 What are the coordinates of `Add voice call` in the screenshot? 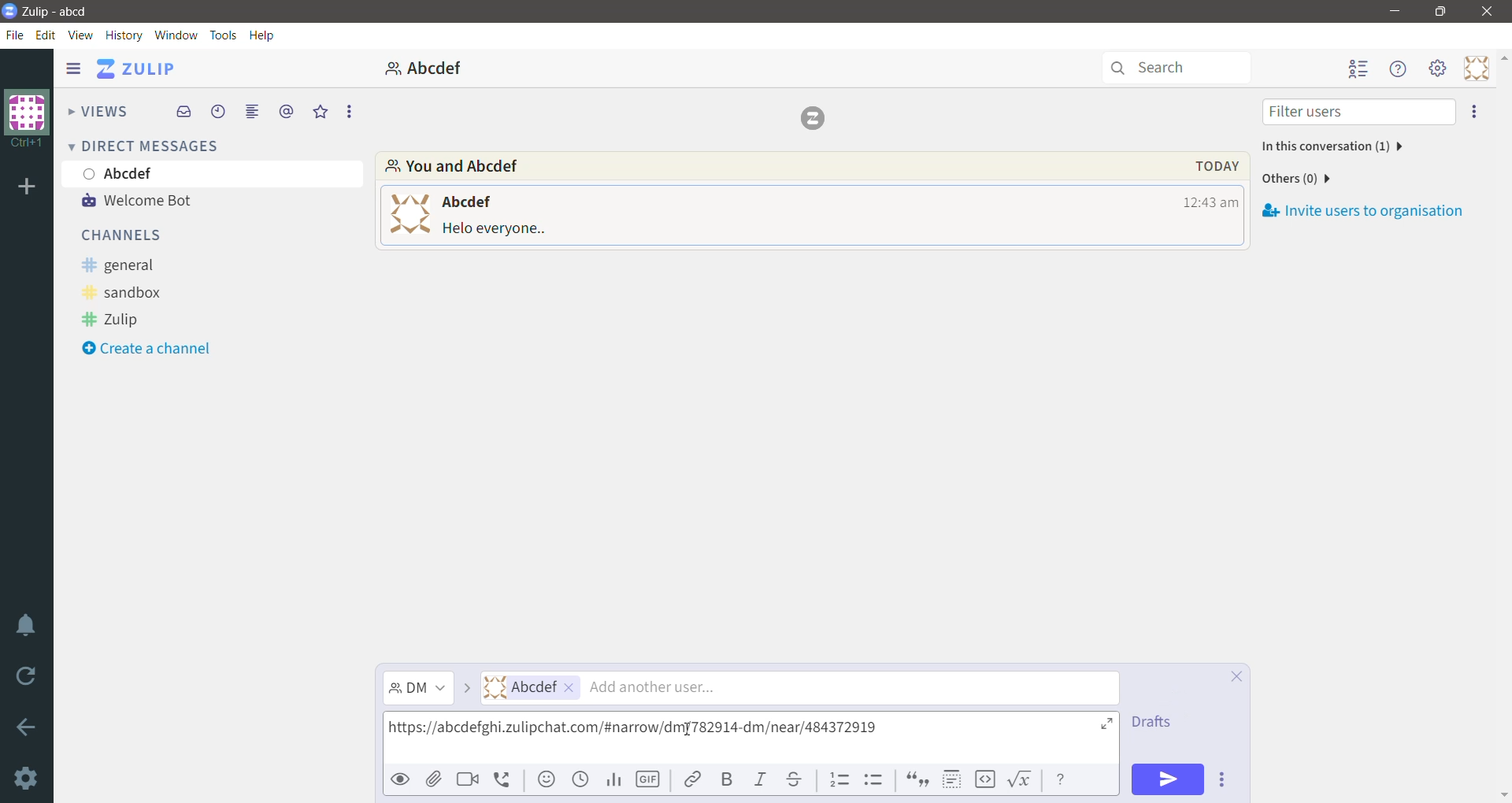 It's located at (505, 781).